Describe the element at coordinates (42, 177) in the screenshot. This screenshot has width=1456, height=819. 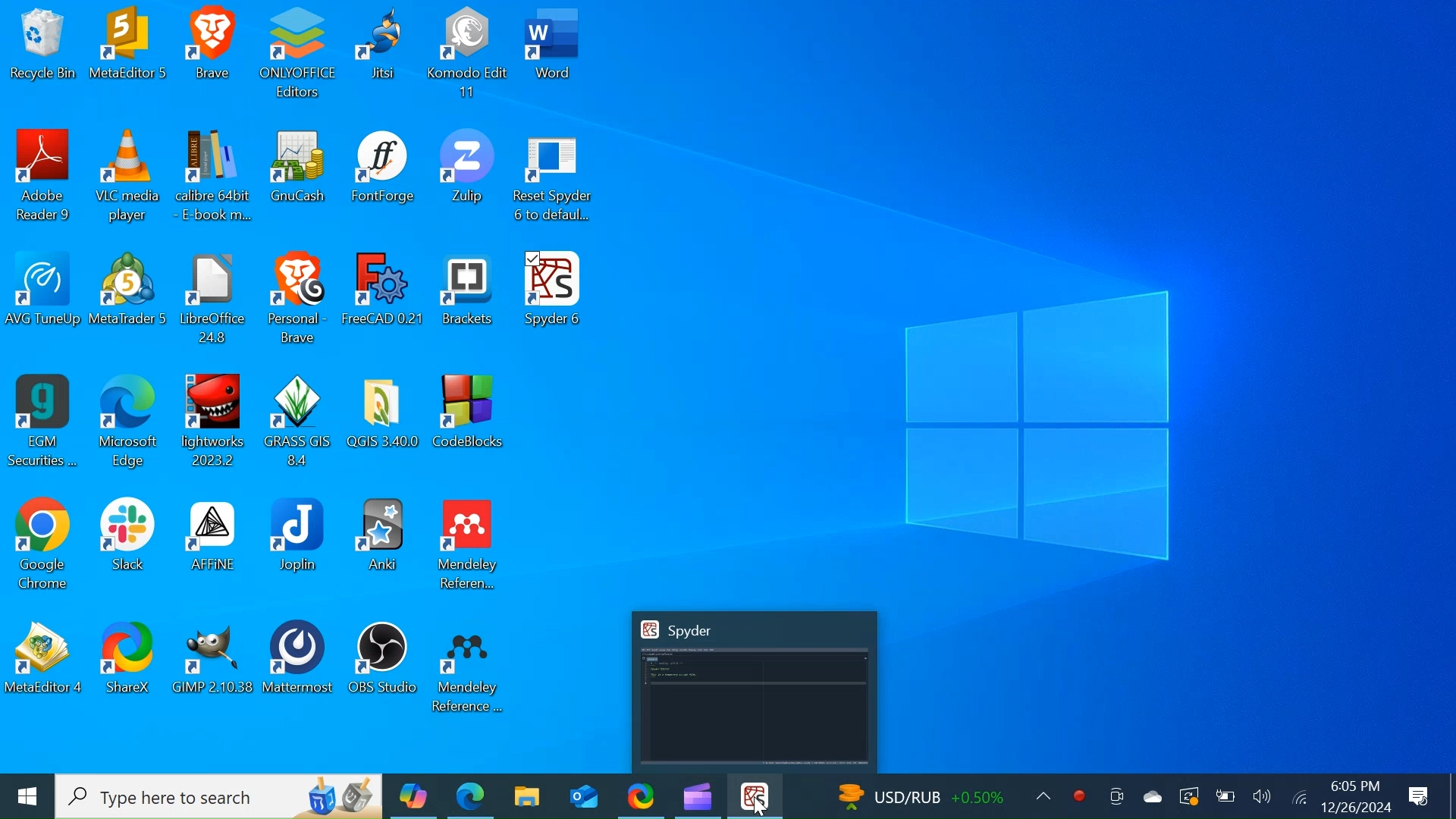
I see `Adobe Reader Desktop Icon` at that location.